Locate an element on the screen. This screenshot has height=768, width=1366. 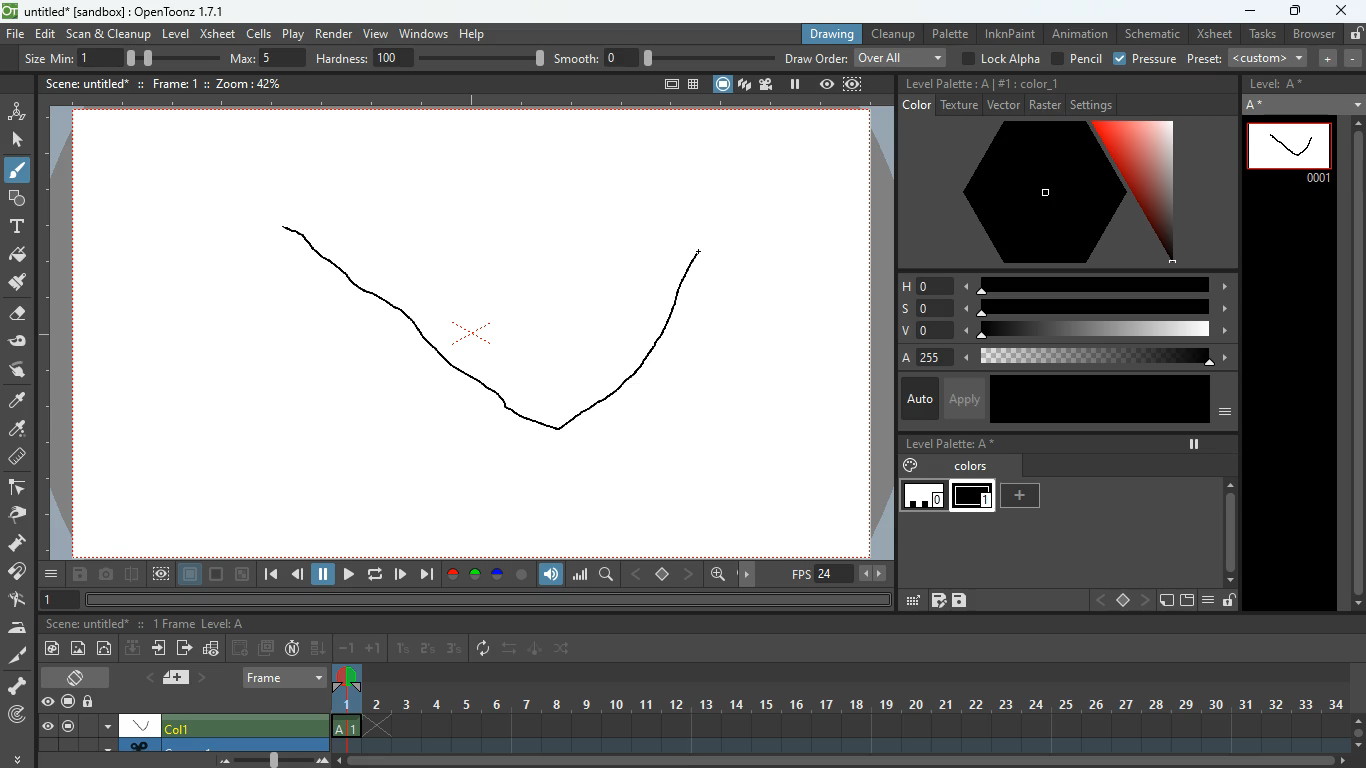
v is located at coordinates (1061, 332).